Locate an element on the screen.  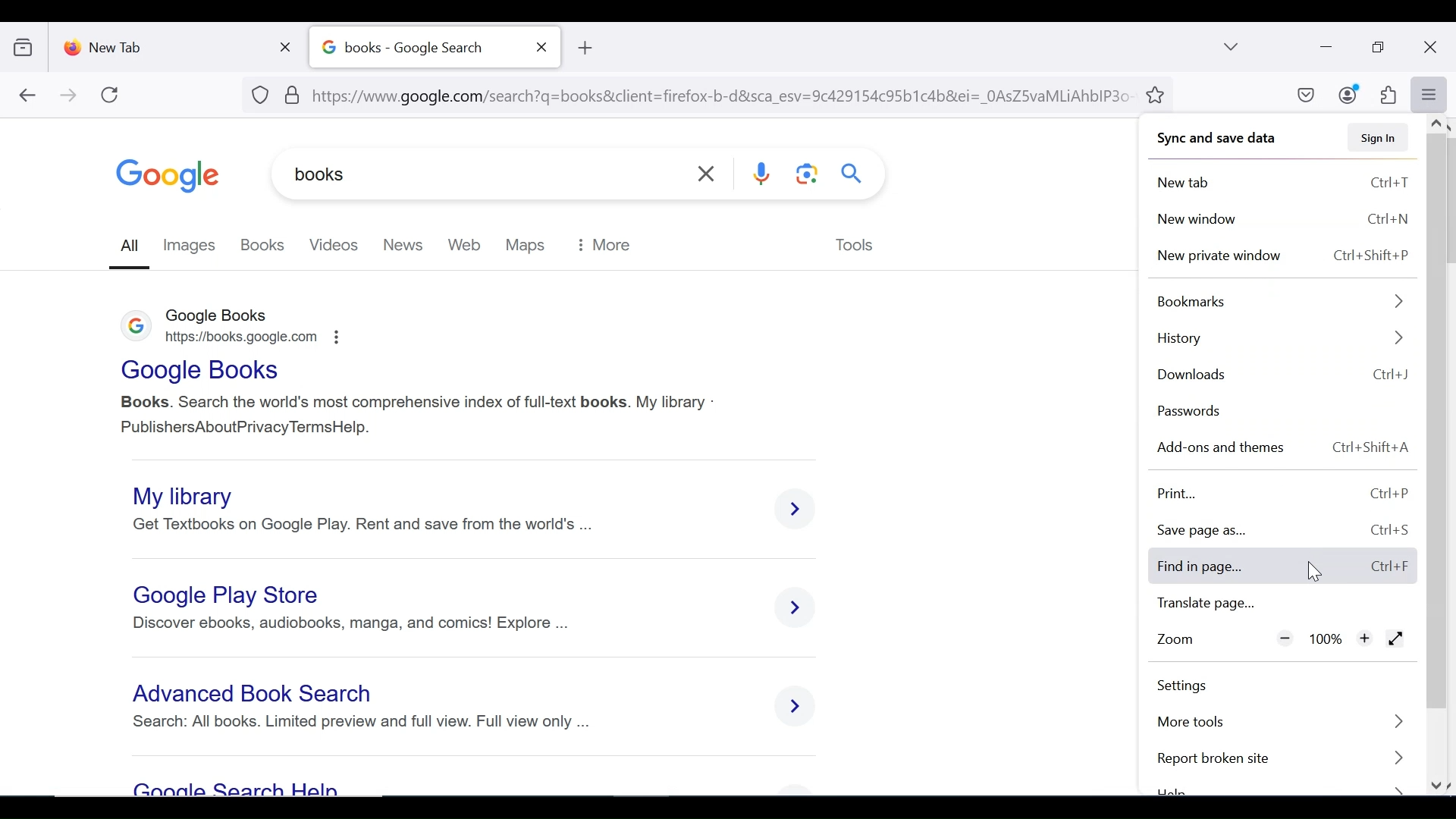
books is located at coordinates (264, 244).